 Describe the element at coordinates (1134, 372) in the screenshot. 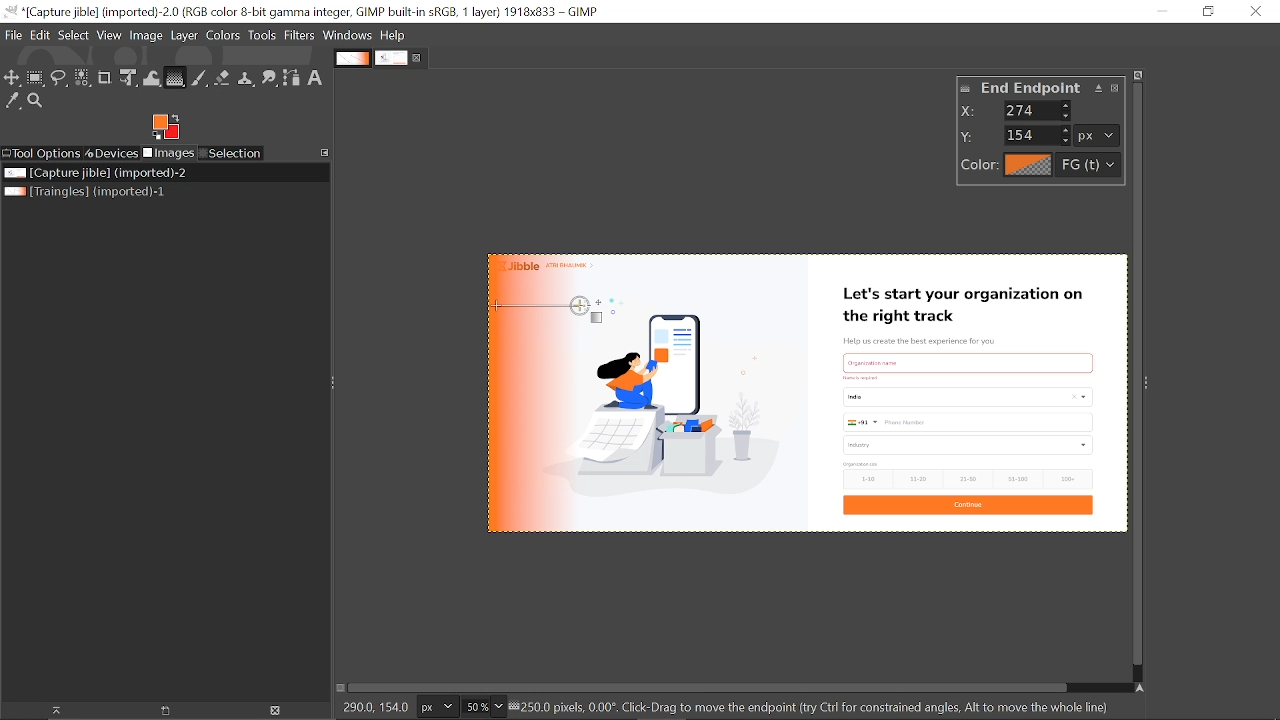

I see `Vertical scrollbar` at that location.